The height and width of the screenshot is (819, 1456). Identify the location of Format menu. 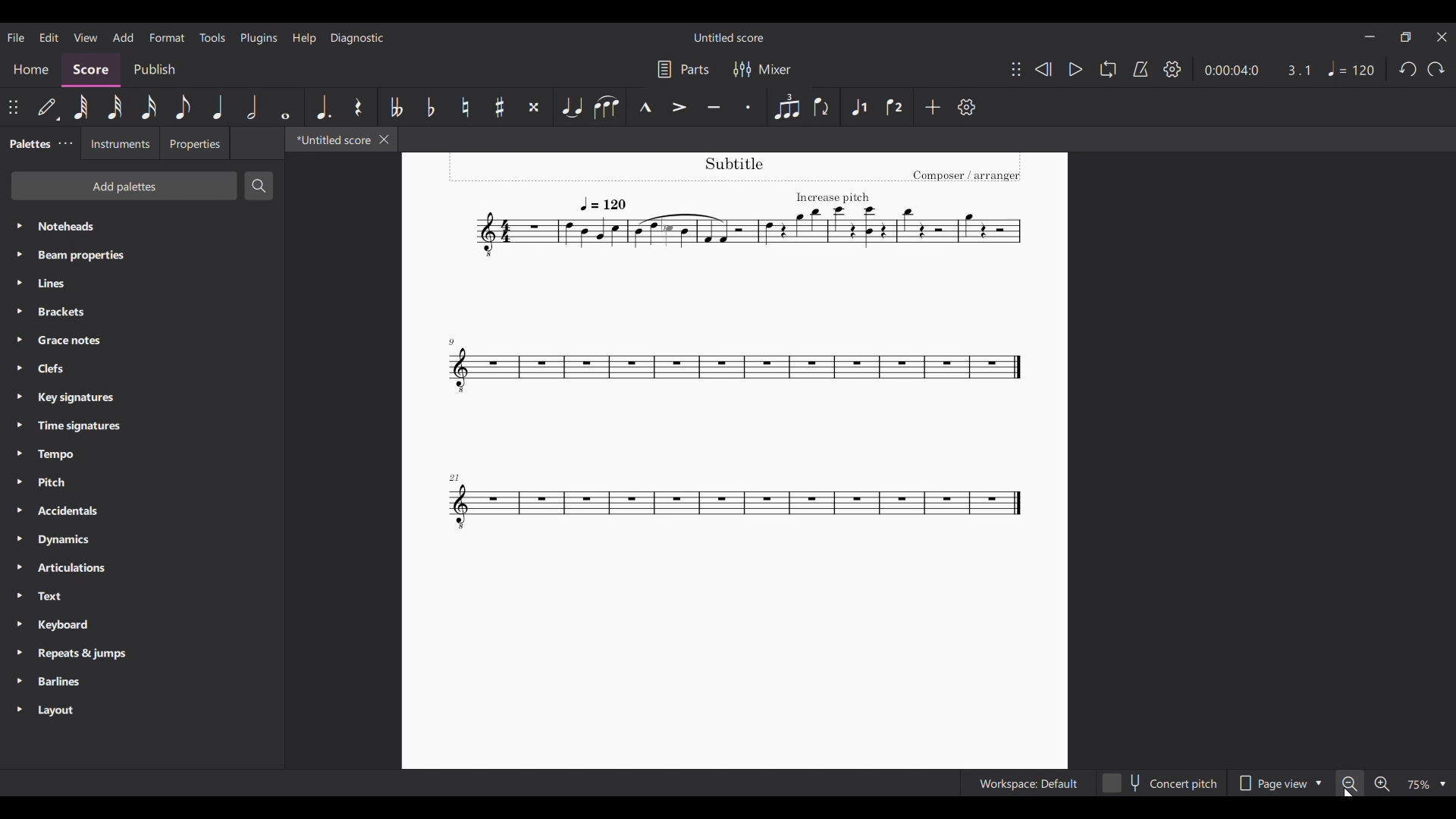
(168, 38).